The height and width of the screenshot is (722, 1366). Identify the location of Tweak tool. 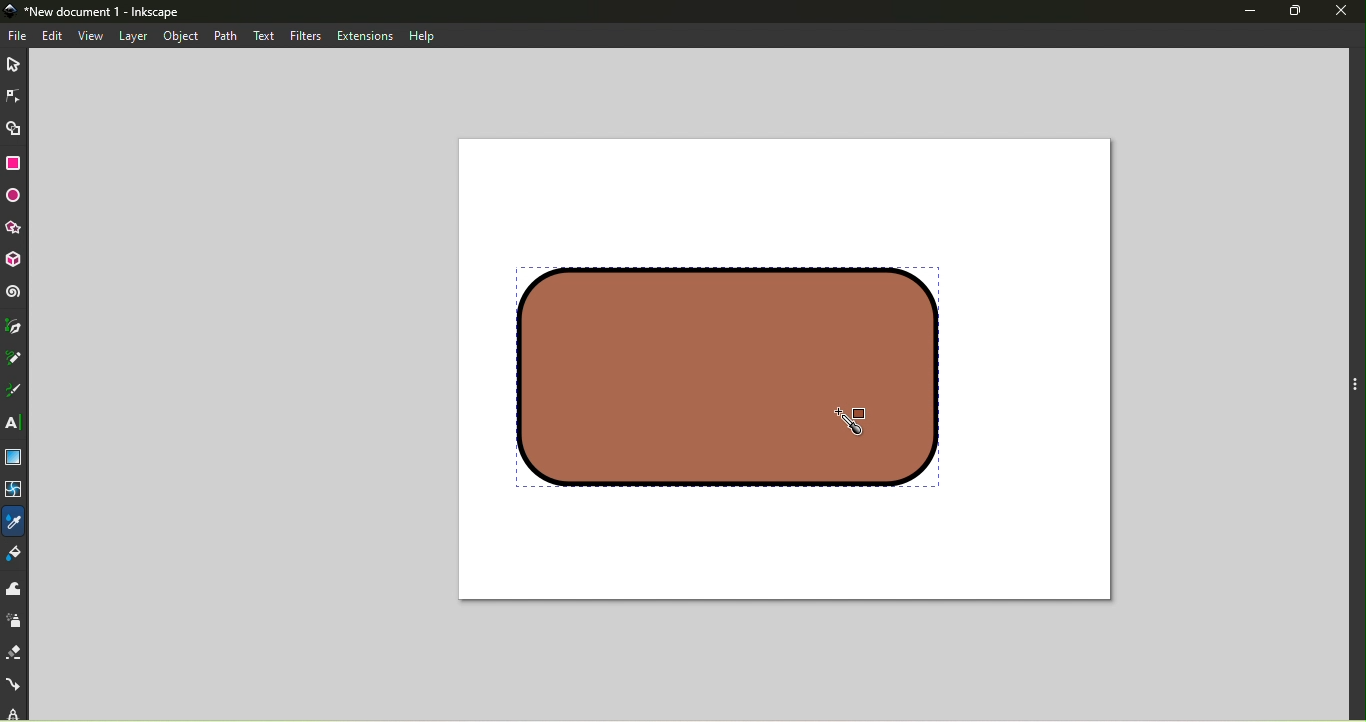
(13, 589).